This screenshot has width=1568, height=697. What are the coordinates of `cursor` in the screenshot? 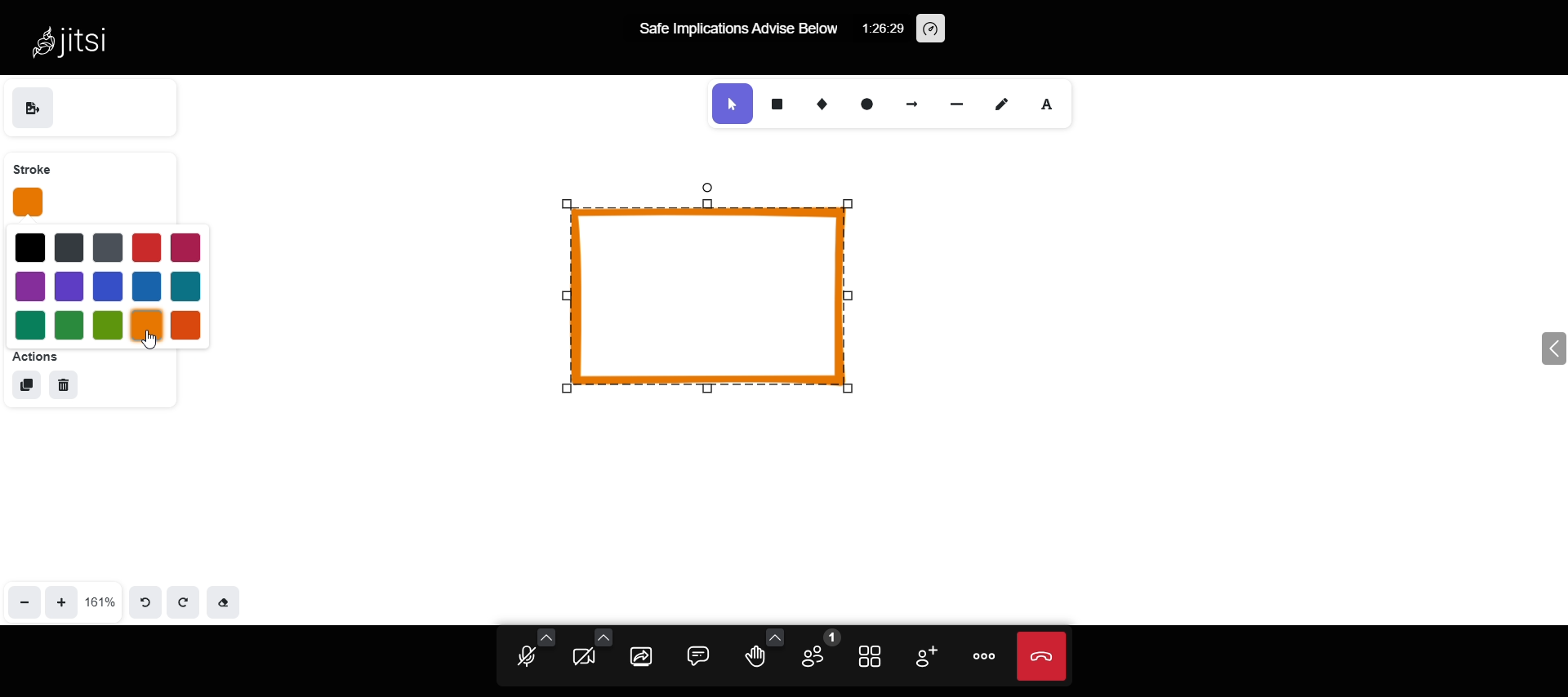 It's located at (156, 346).